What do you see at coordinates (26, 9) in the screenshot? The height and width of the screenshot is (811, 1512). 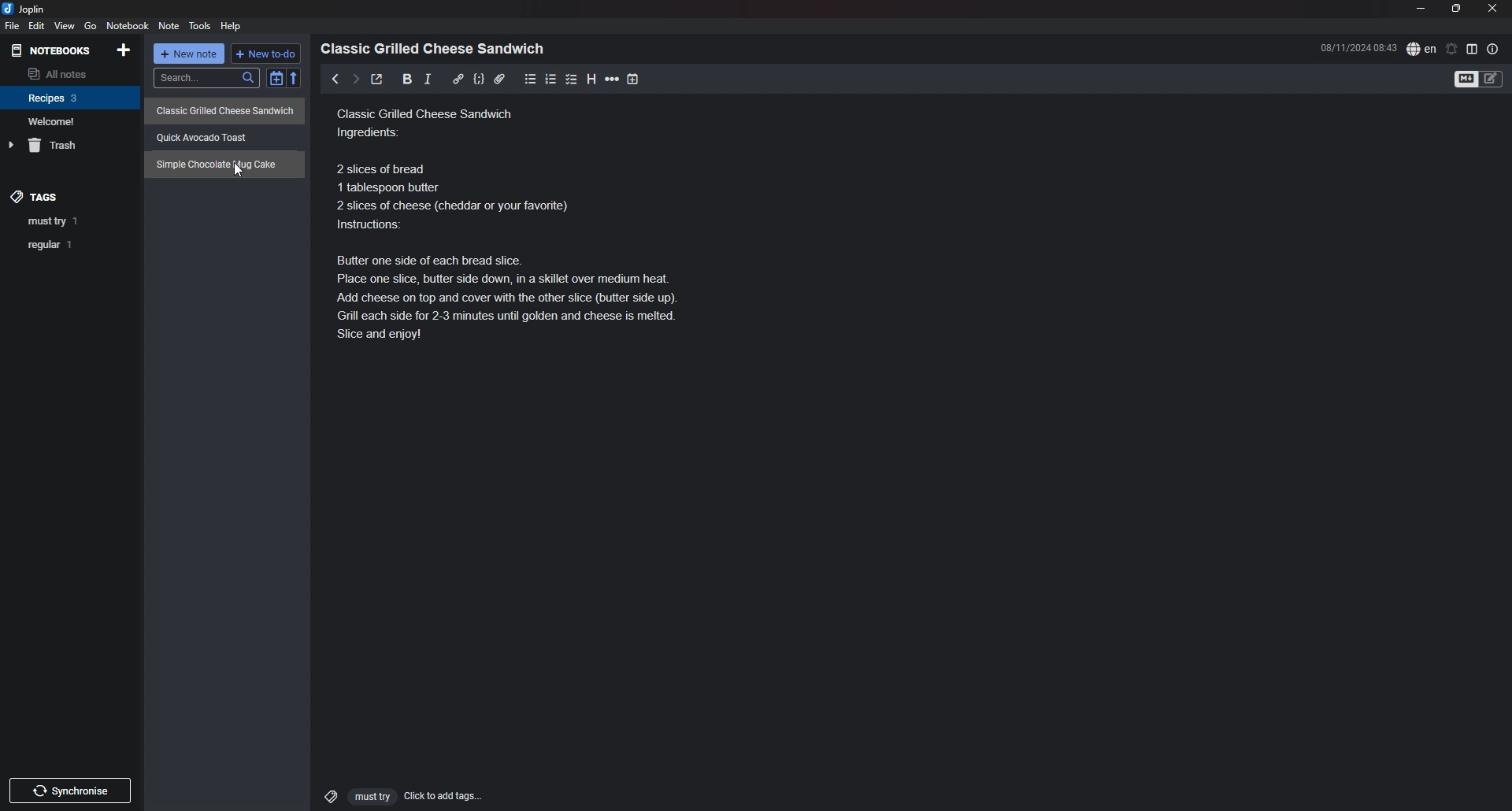 I see `joplin` at bounding box center [26, 9].